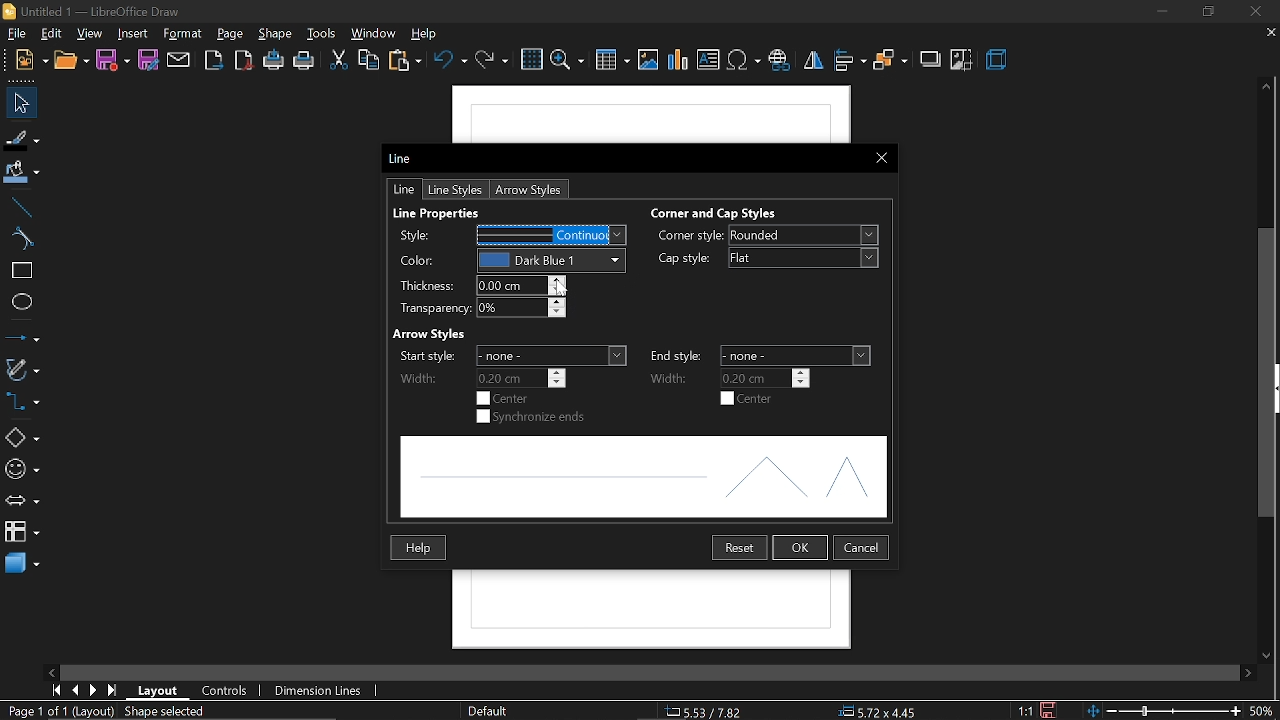 This screenshot has height=720, width=1280. What do you see at coordinates (1248, 671) in the screenshot?
I see `move right` at bounding box center [1248, 671].